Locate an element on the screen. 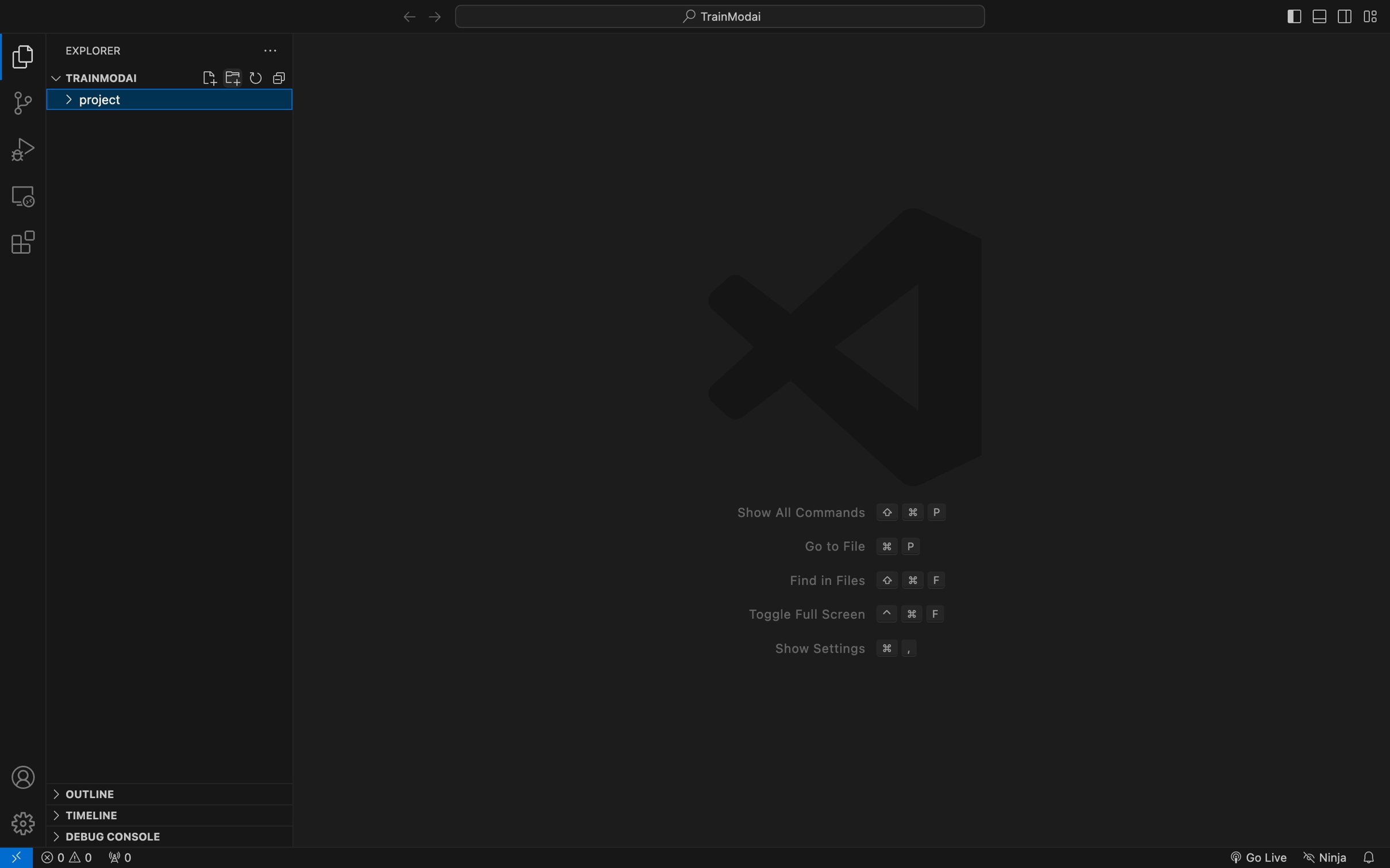 The image size is (1390, 868). notification is located at coordinates (1373, 855).